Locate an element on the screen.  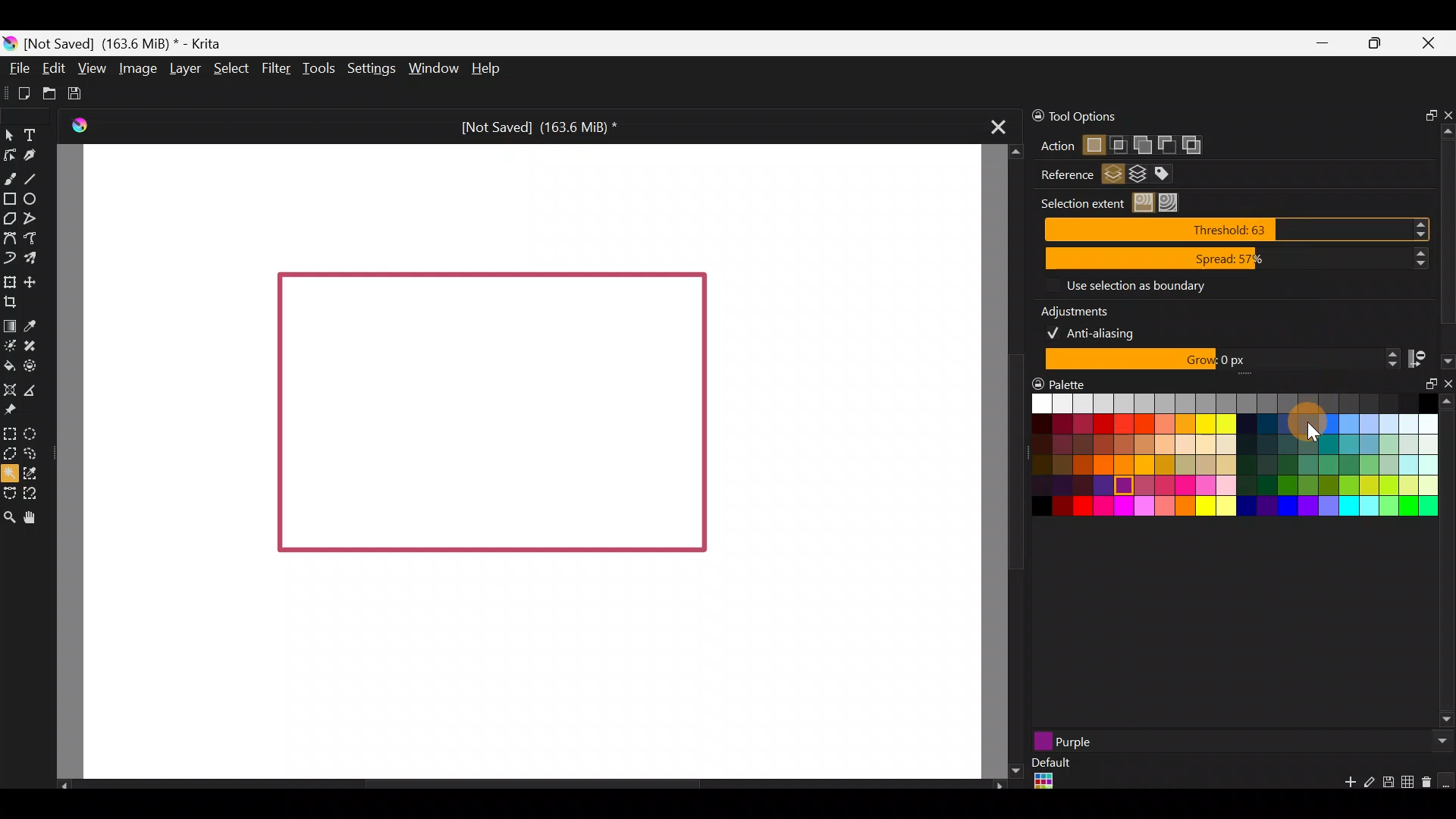
Scroll bar is located at coordinates (523, 784).